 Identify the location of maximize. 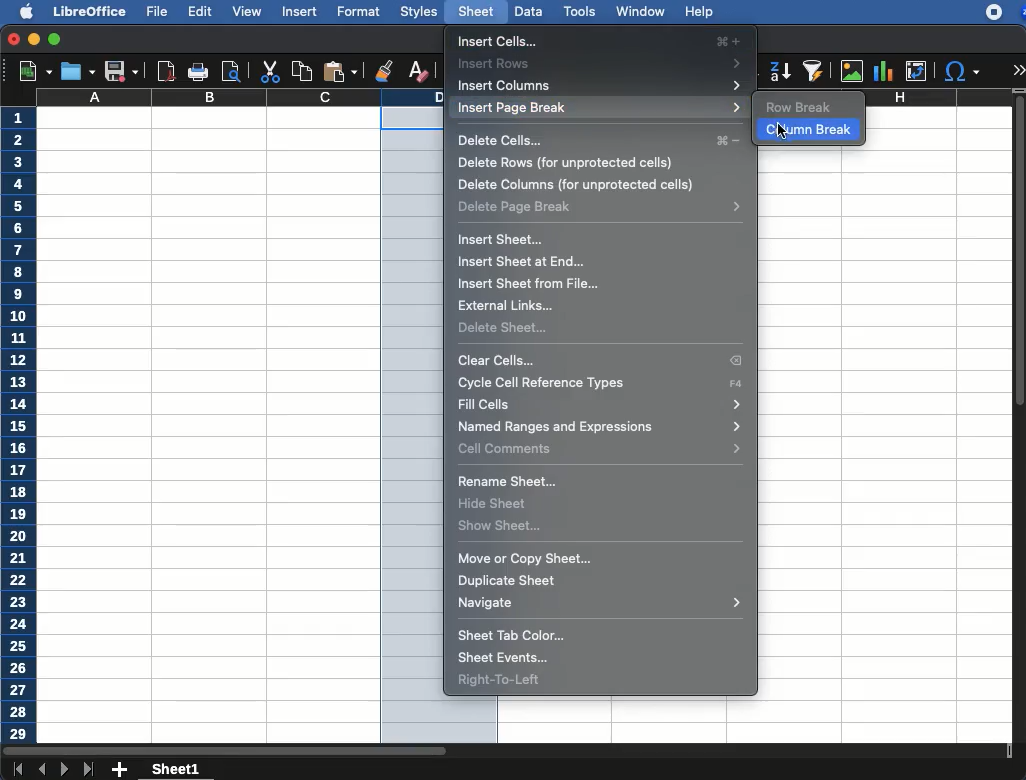
(56, 40).